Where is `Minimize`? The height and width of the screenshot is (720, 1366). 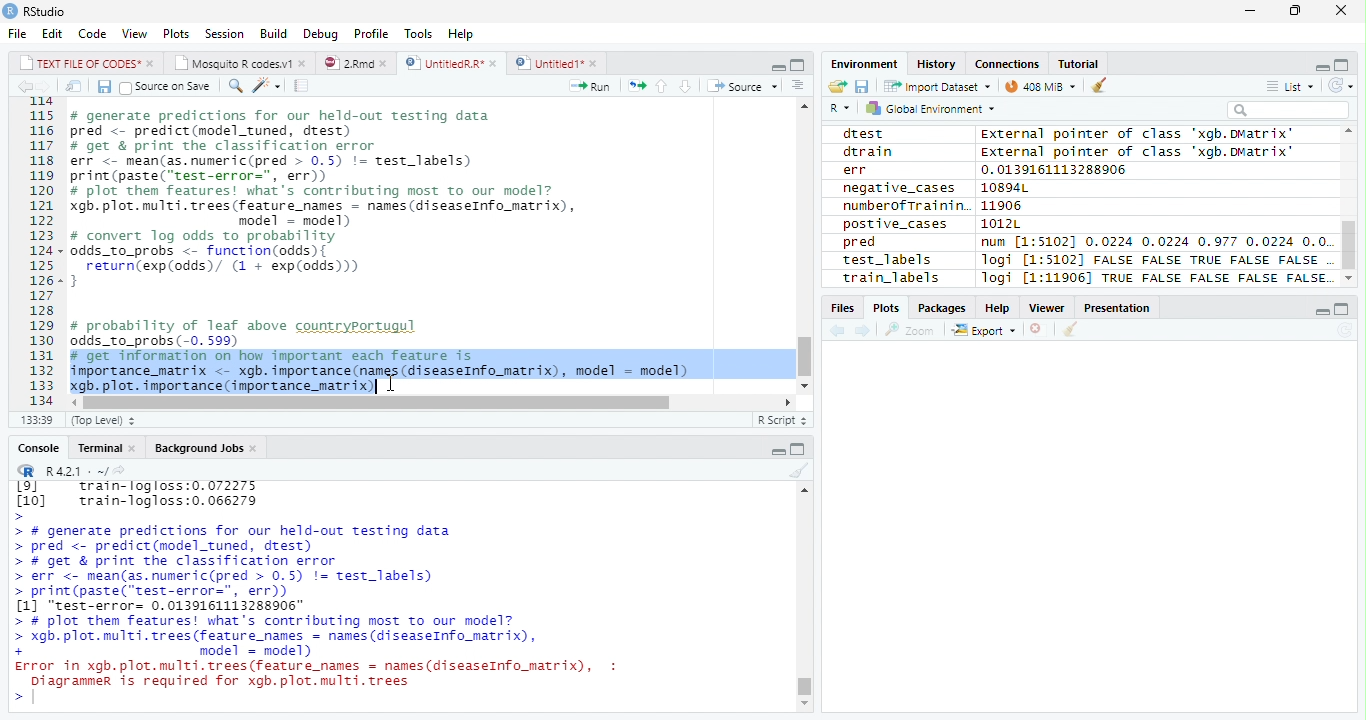
Minimize is located at coordinates (779, 451).